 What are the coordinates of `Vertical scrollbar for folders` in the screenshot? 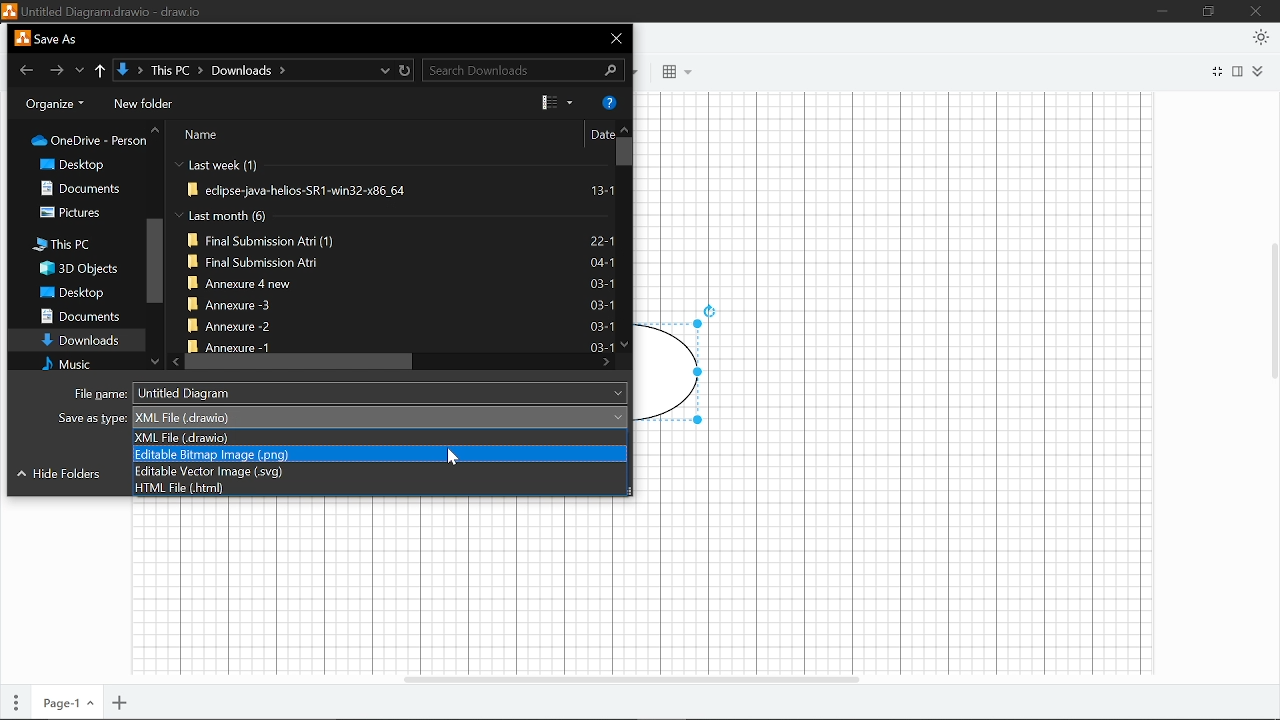 It's located at (154, 260).